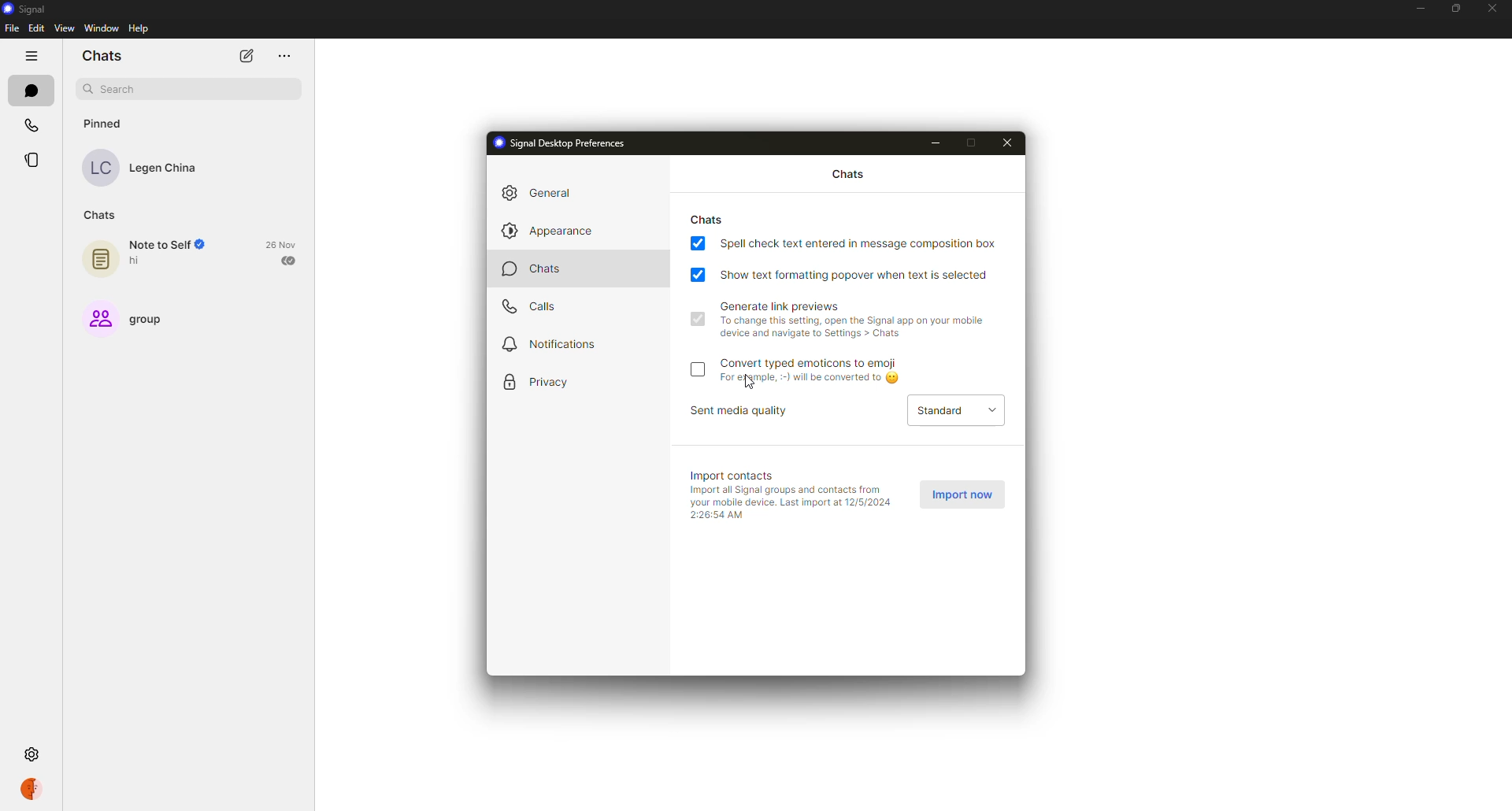 This screenshot has height=811, width=1512. Describe the element at coordinates (861, 243) in the screenshot. I see `spell check text entered` at that location.